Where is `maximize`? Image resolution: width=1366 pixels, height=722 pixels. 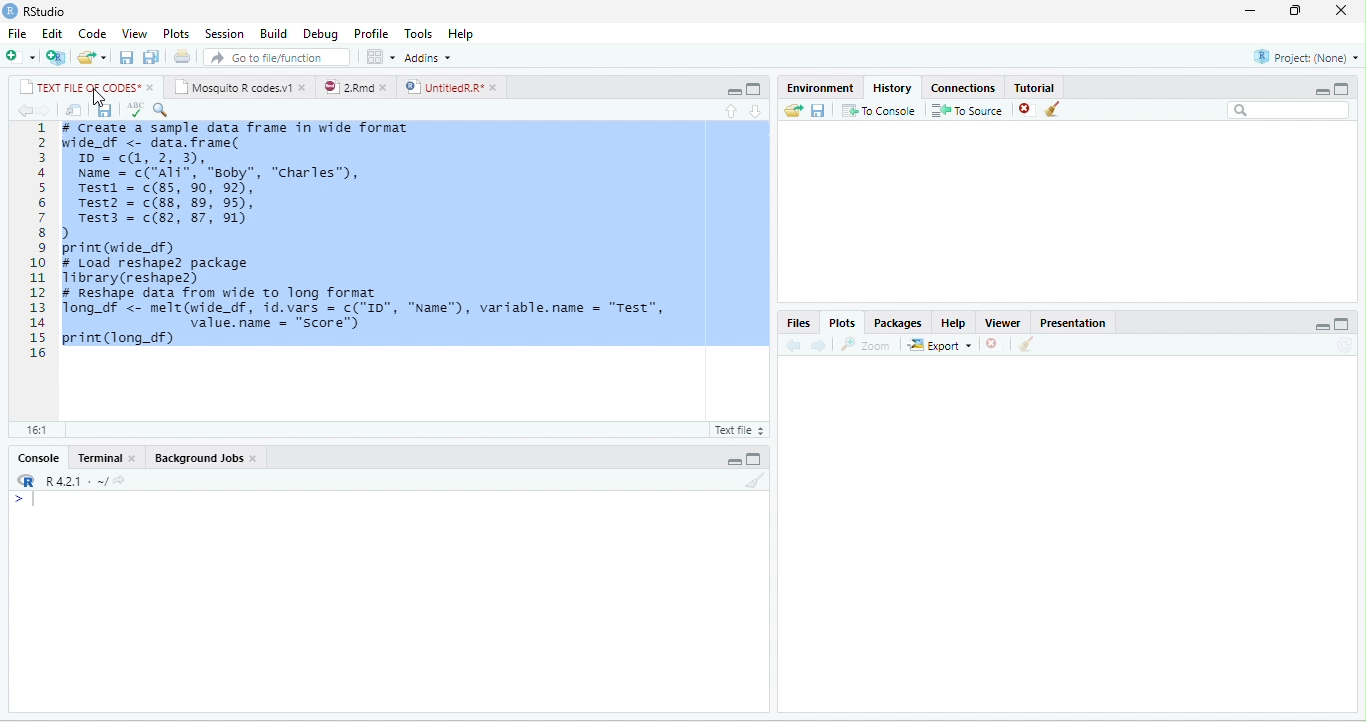
maximize is located at coordinates (1343, 324).